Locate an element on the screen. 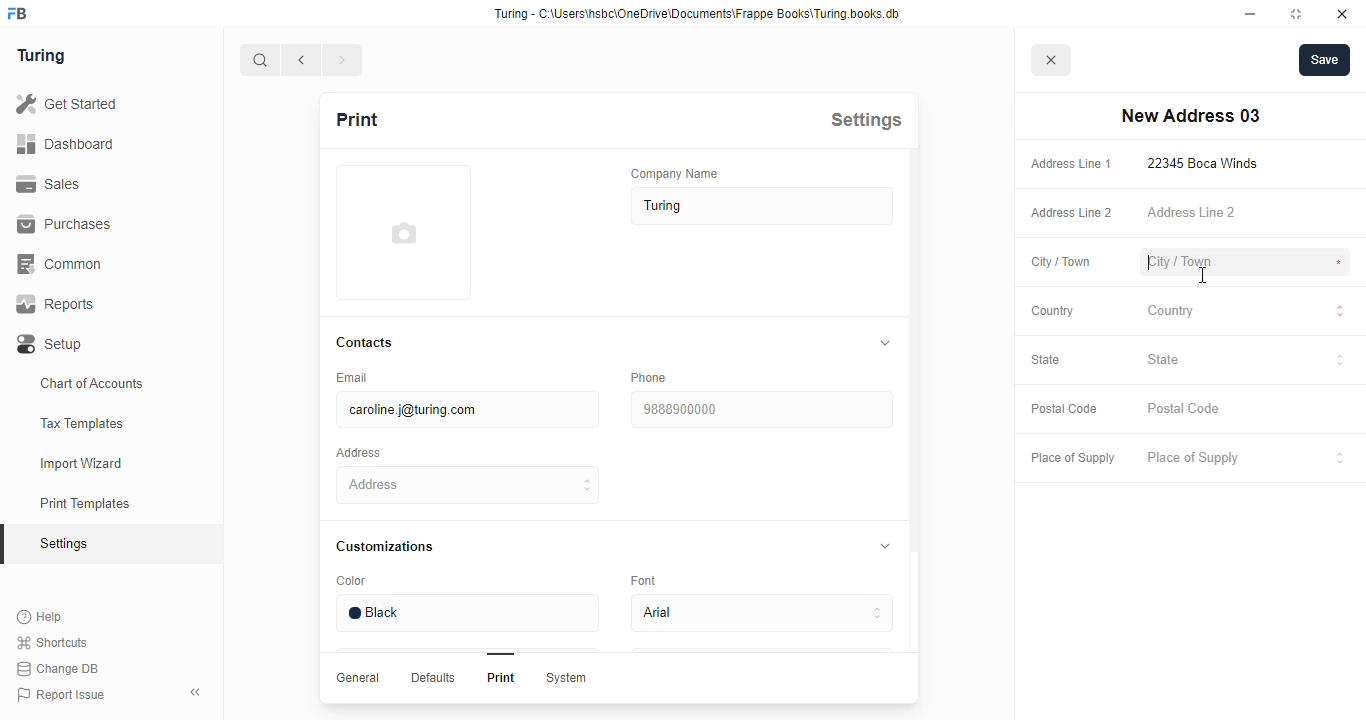  import wizard is located at coordinates (82, 464).